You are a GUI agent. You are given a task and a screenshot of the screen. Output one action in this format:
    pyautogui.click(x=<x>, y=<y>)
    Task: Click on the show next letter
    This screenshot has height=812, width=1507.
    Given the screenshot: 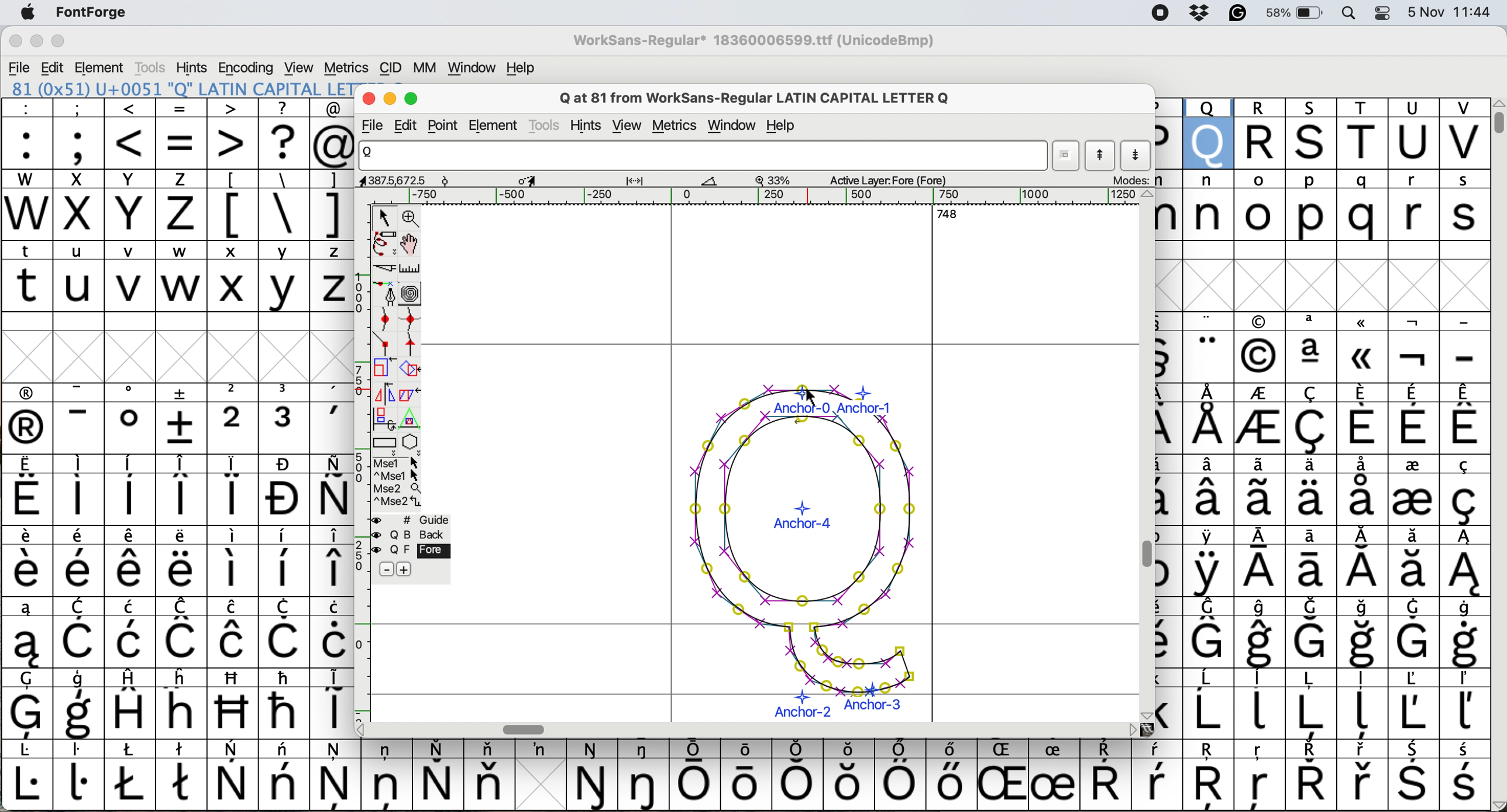 What is the action you would take?
    pyautogui.click(x=1137, y=157)
    